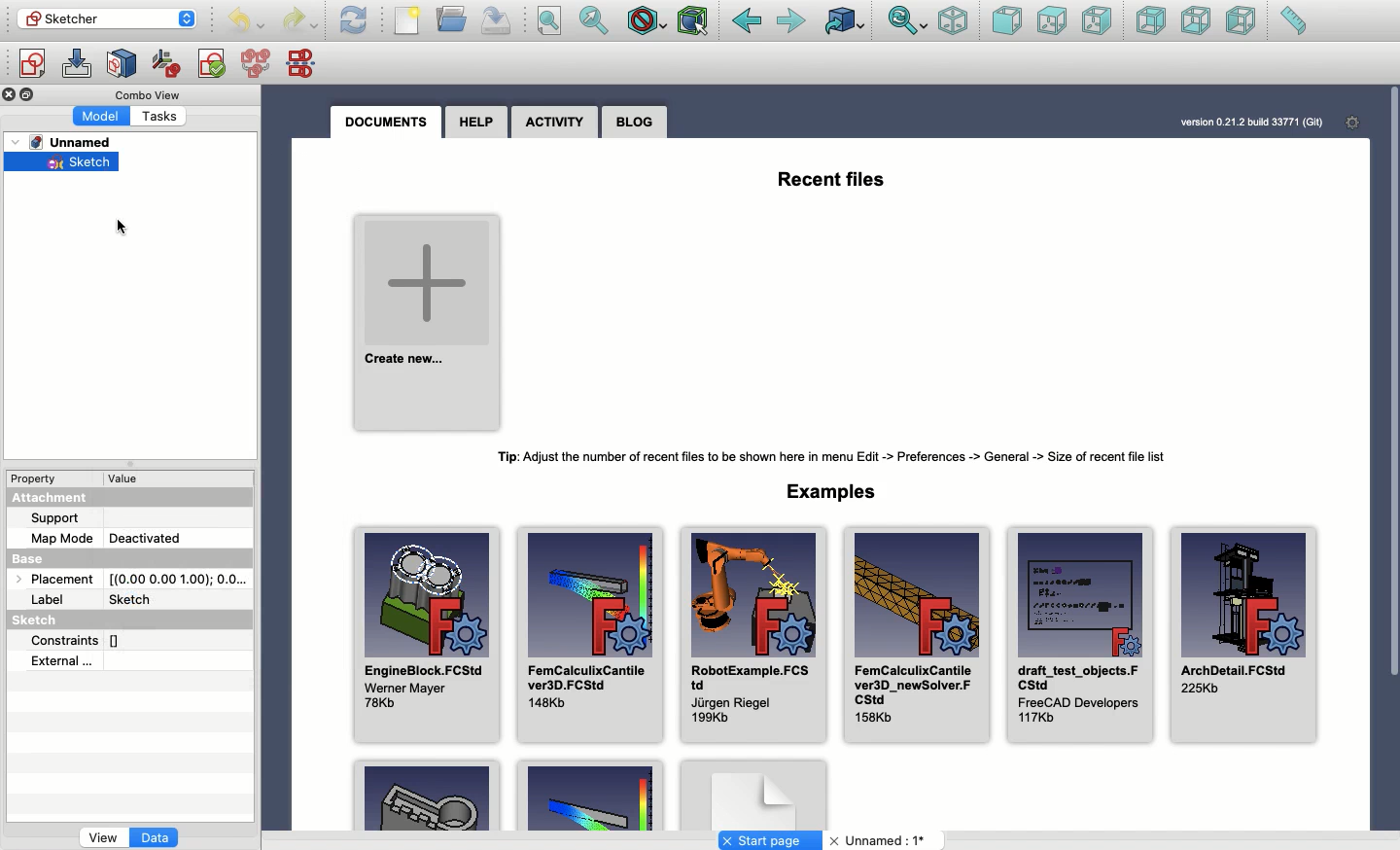  I want to click on Sync view, so click(908, 22).